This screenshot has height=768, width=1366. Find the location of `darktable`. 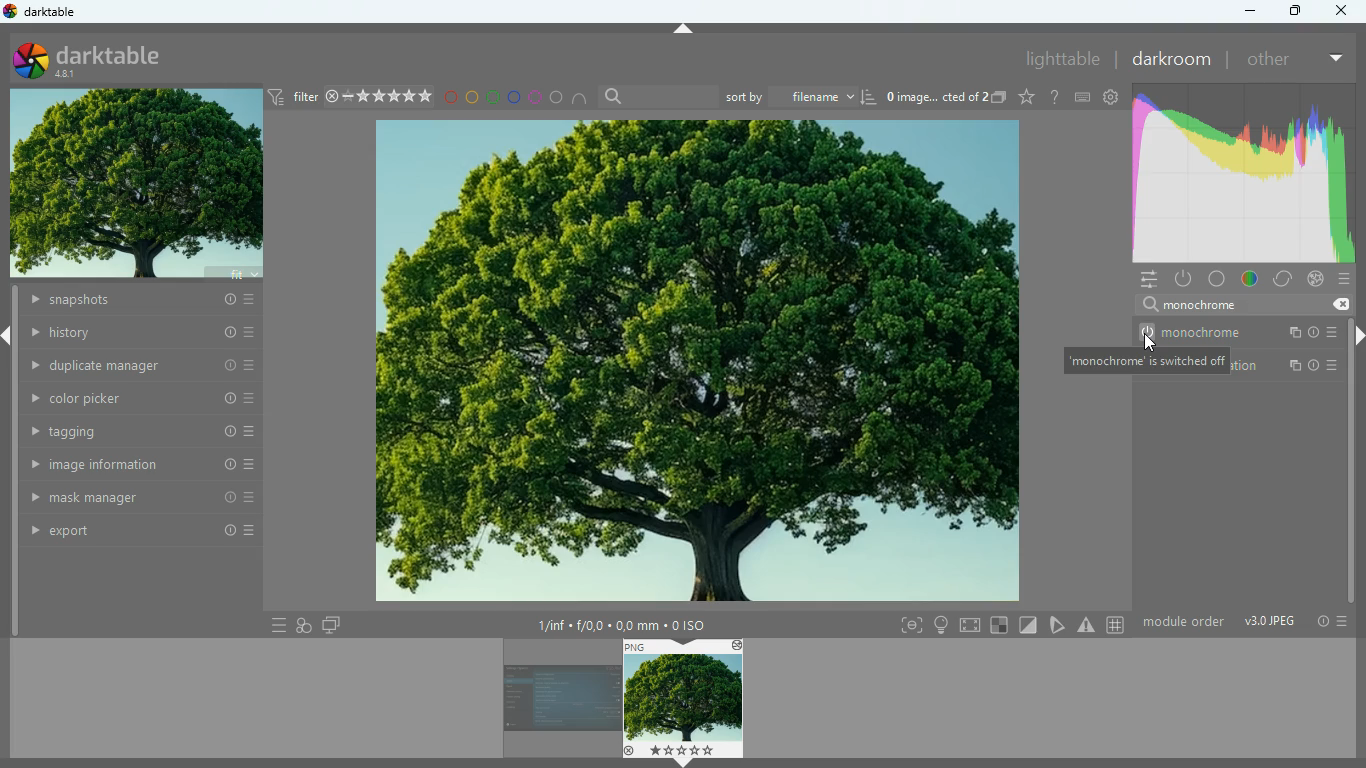

darktable is located at coordinates (116, 57).